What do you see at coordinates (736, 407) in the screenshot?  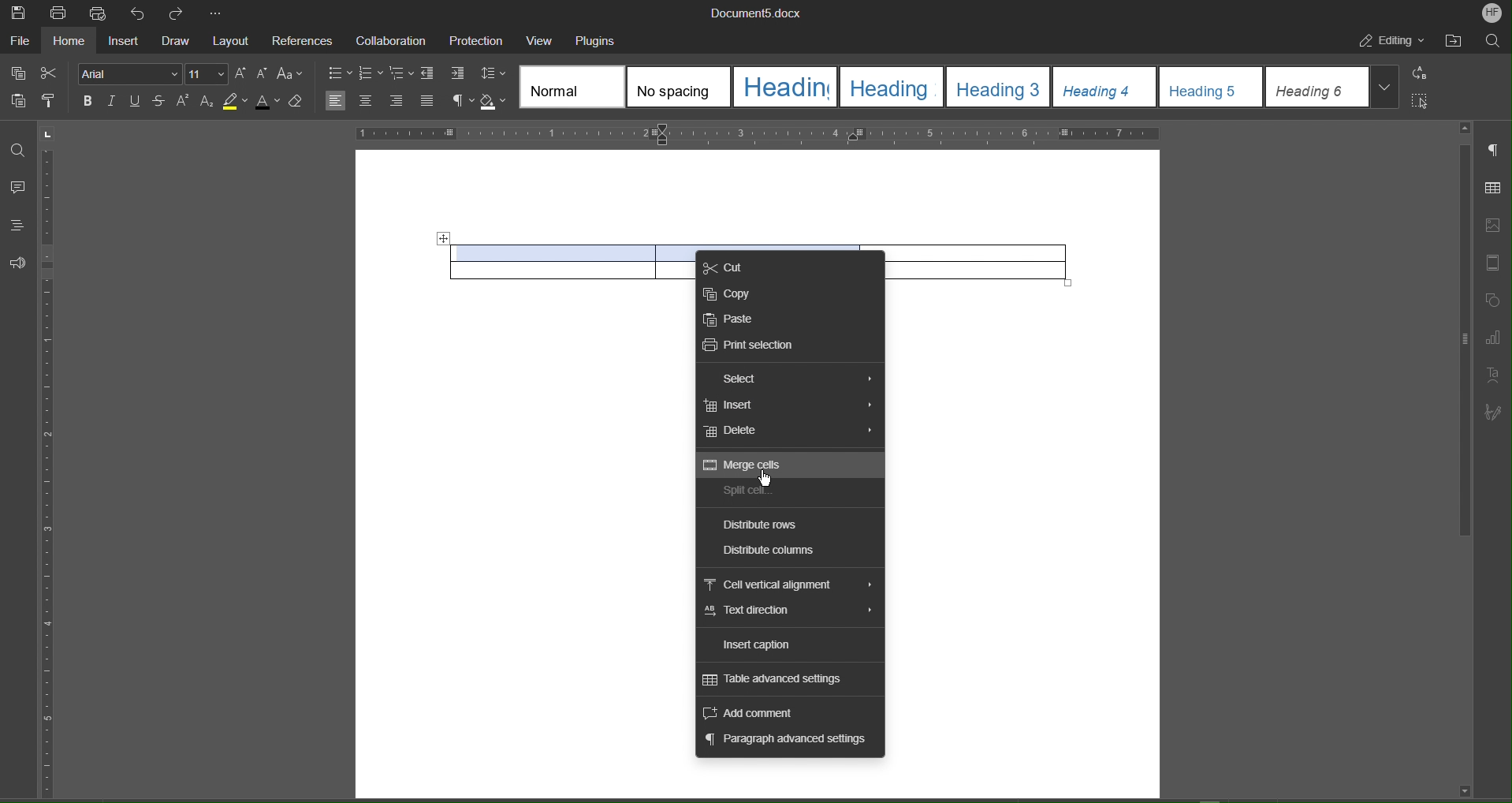 I see `Insert` at bounding box center [736, 407].